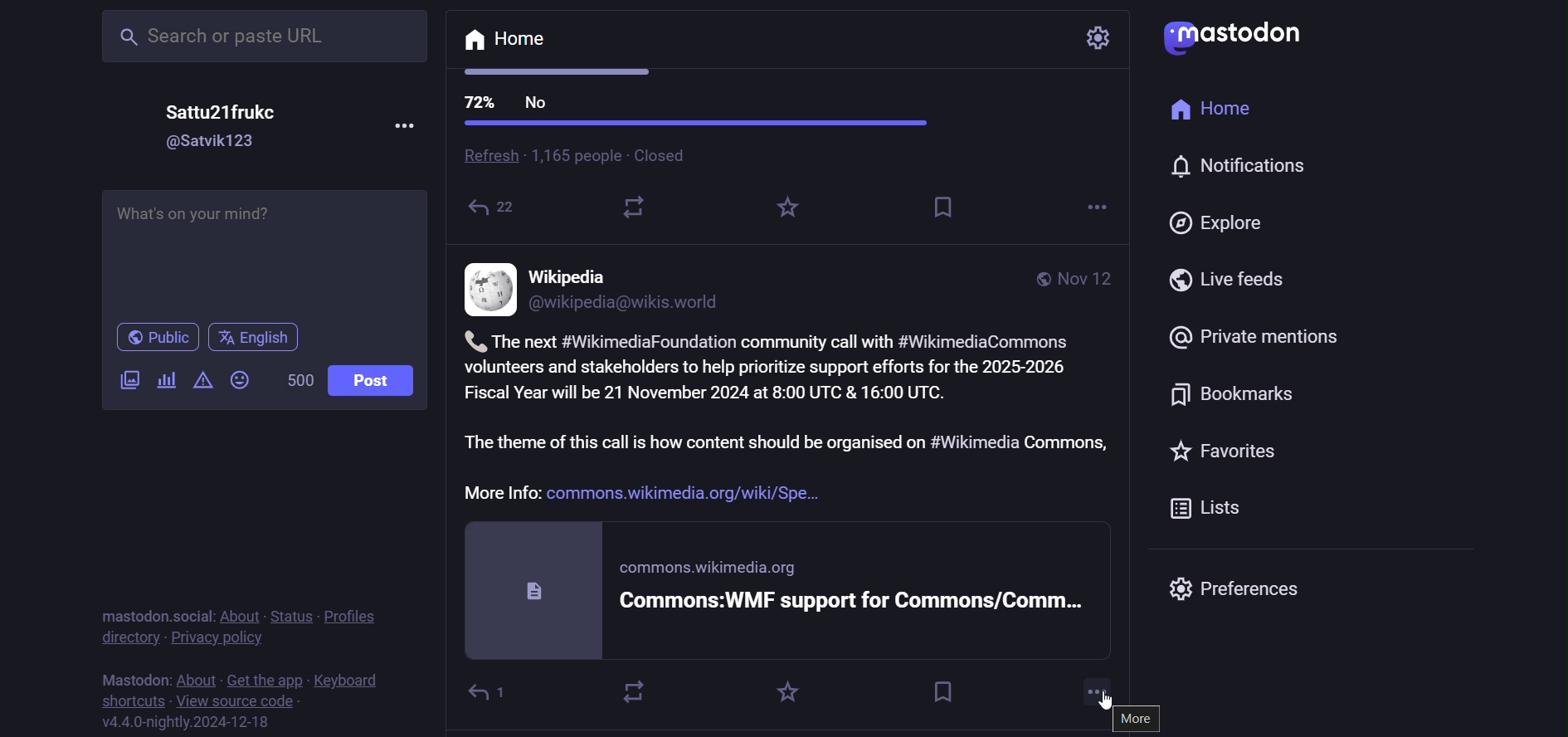 Image resolution: width=1568 pixels, height=737 pixels. I want to click on name, so click(572, 276).